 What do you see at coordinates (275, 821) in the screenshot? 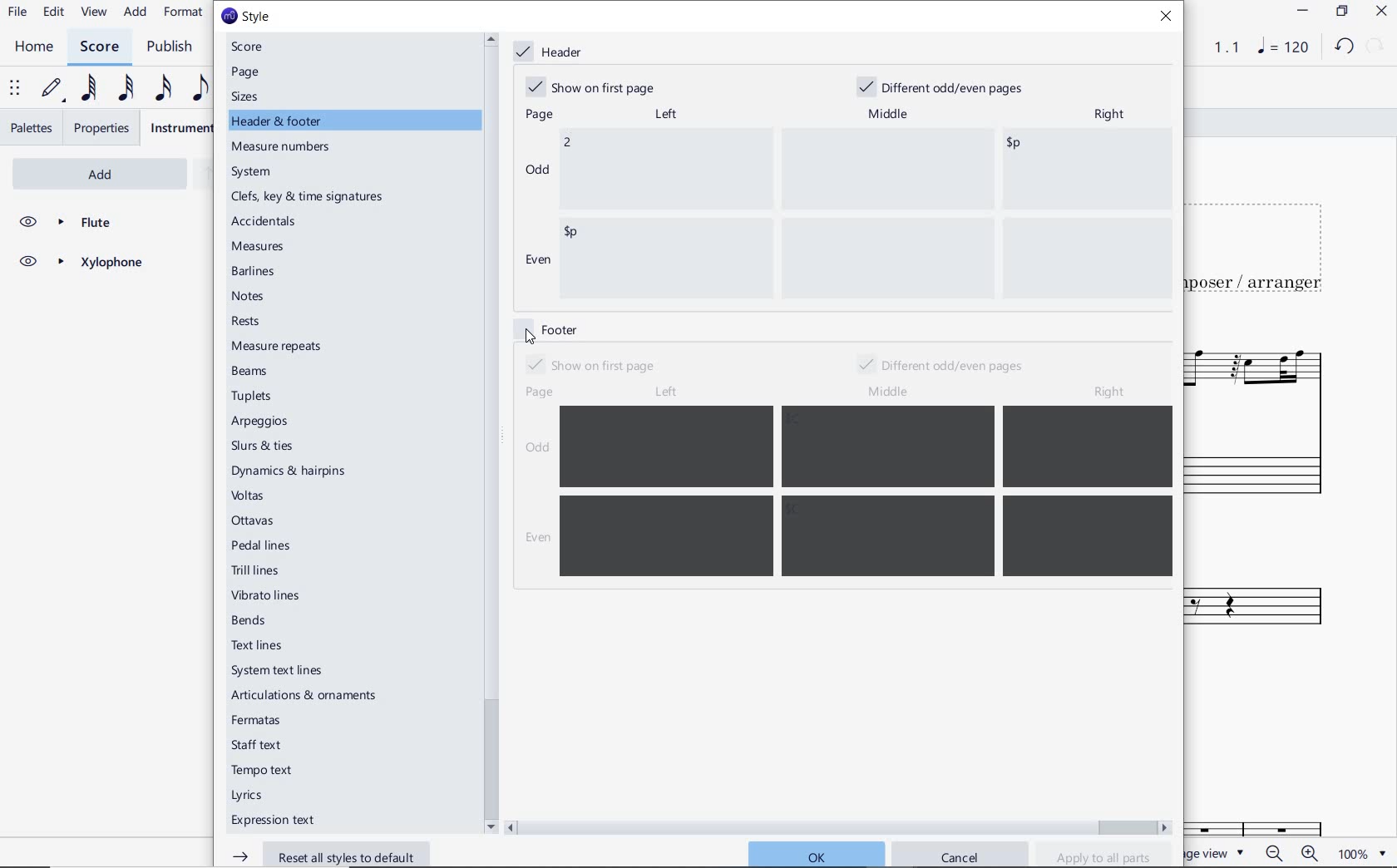
I see `expression text` at bounding box center [275, 821].